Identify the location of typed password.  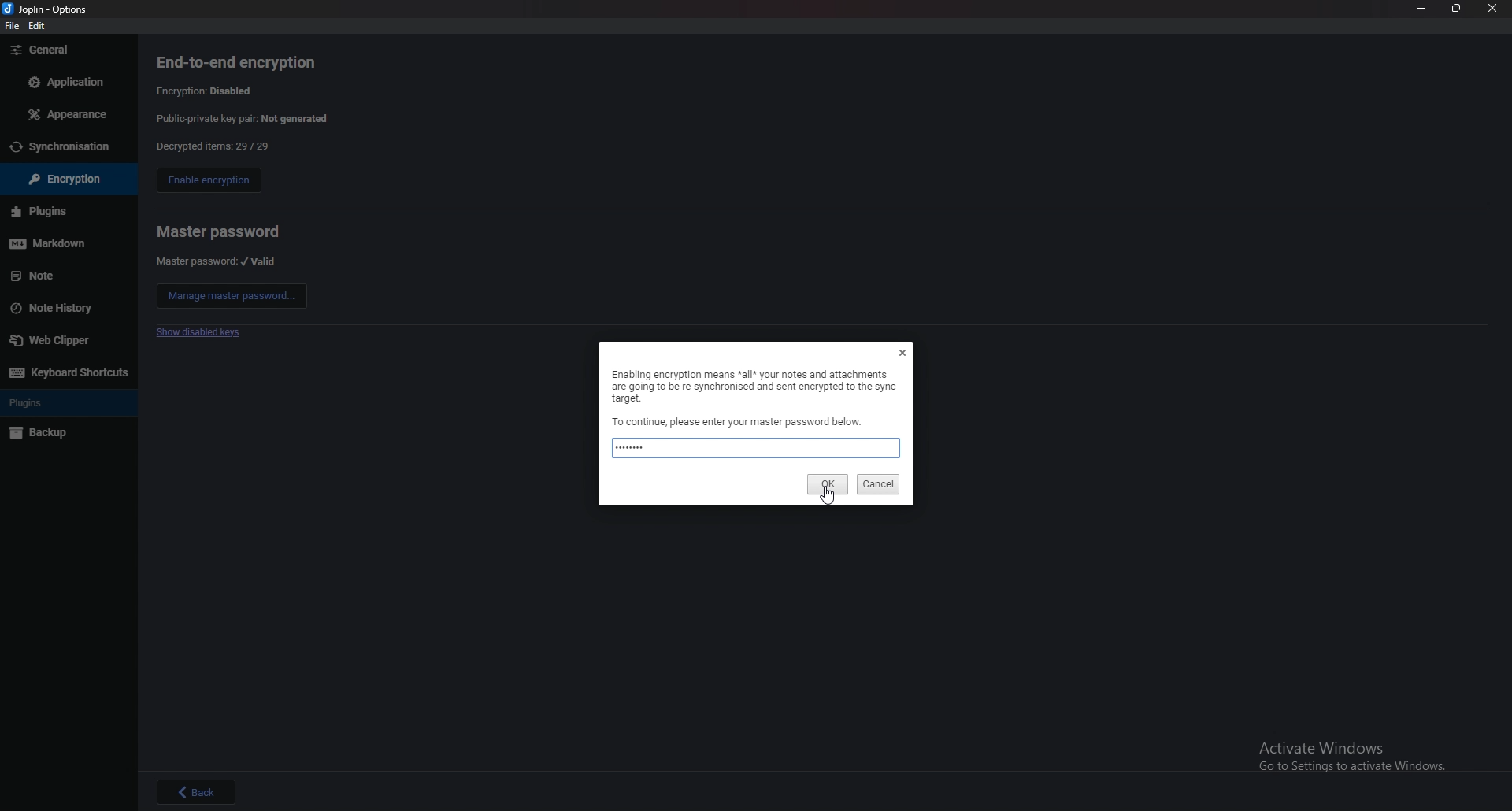
(629, 448).